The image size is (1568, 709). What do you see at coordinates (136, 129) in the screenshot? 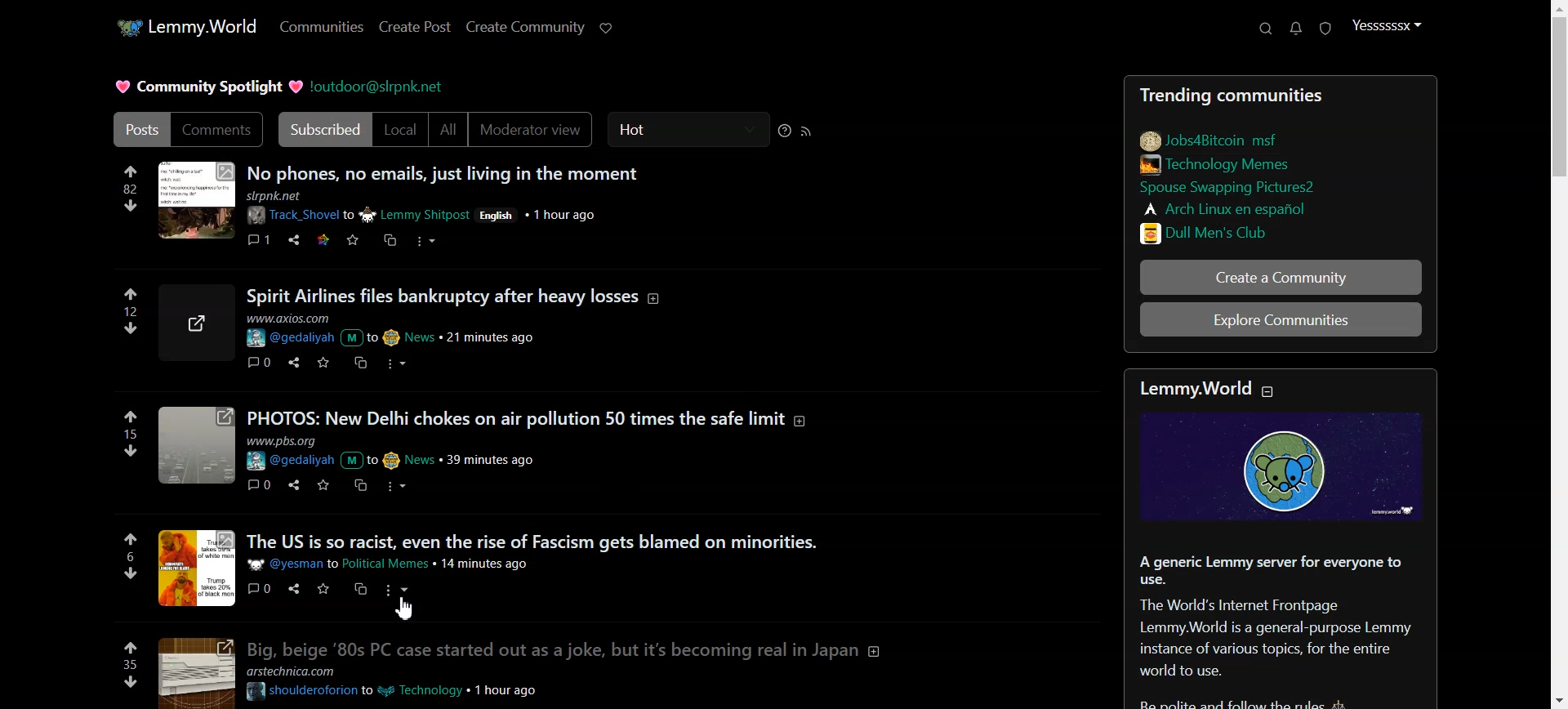
I see `Post` at bounding box center [136, 129].